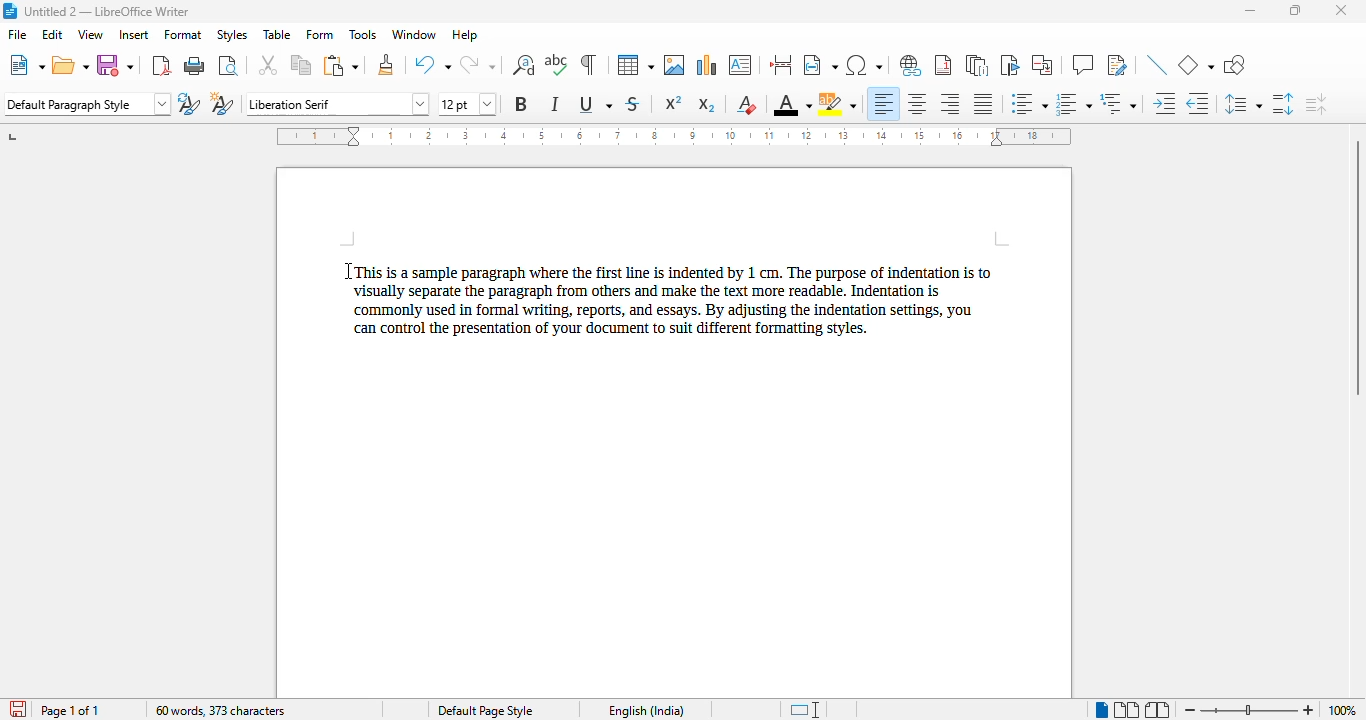  Describe the element at coordinates (978, 65) in the screenshot. I see `insert endnote` at that location.